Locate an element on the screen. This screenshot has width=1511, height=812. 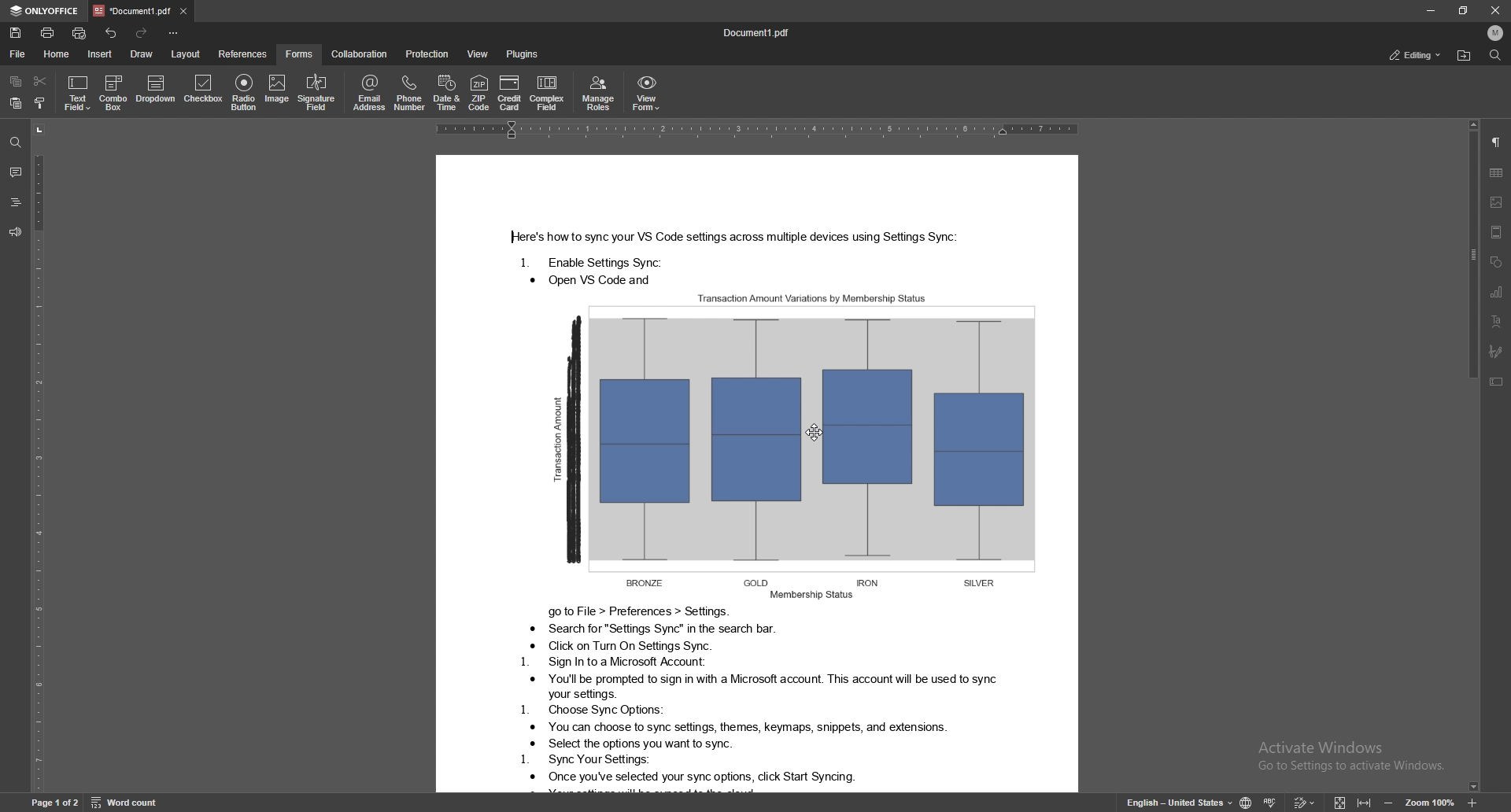
headings is located at coordinates (14, 203).